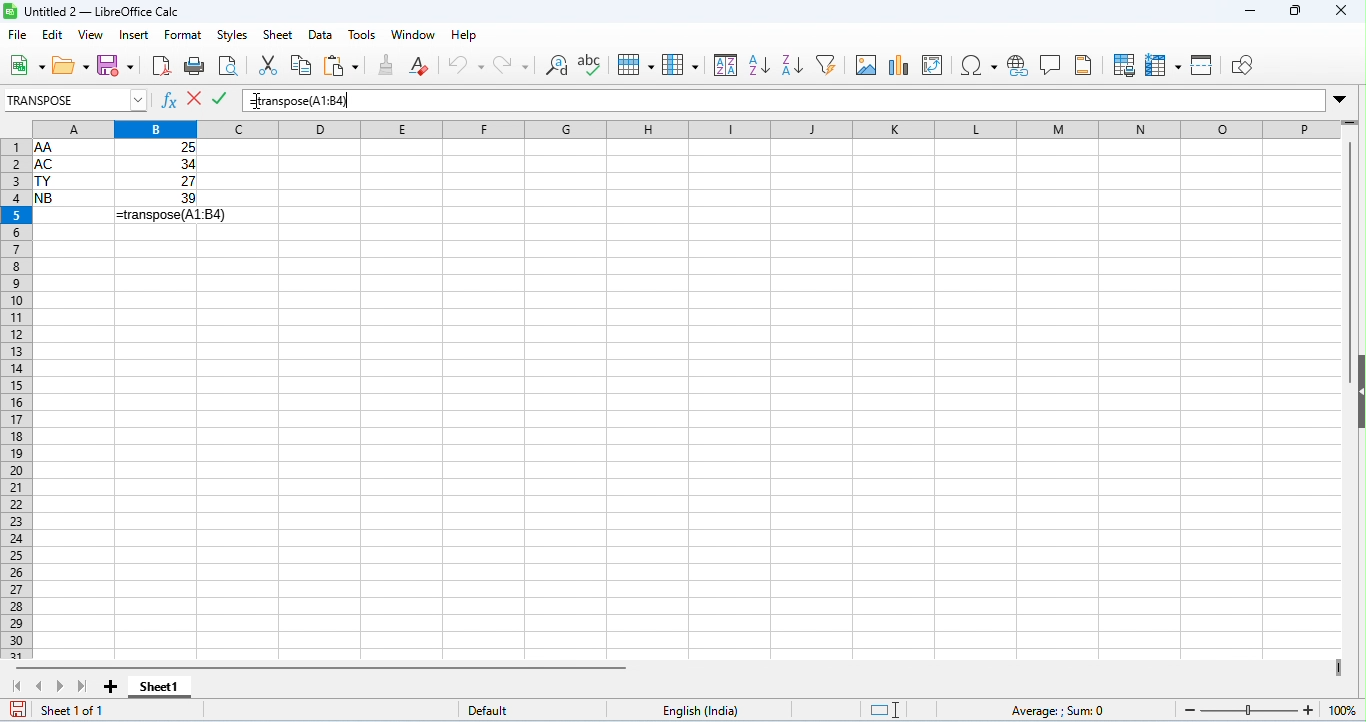 This screenshot has width=1366, height=722. Describe the element at coordinates (280, 35) in the screenshot. I see `sheet` at that location.